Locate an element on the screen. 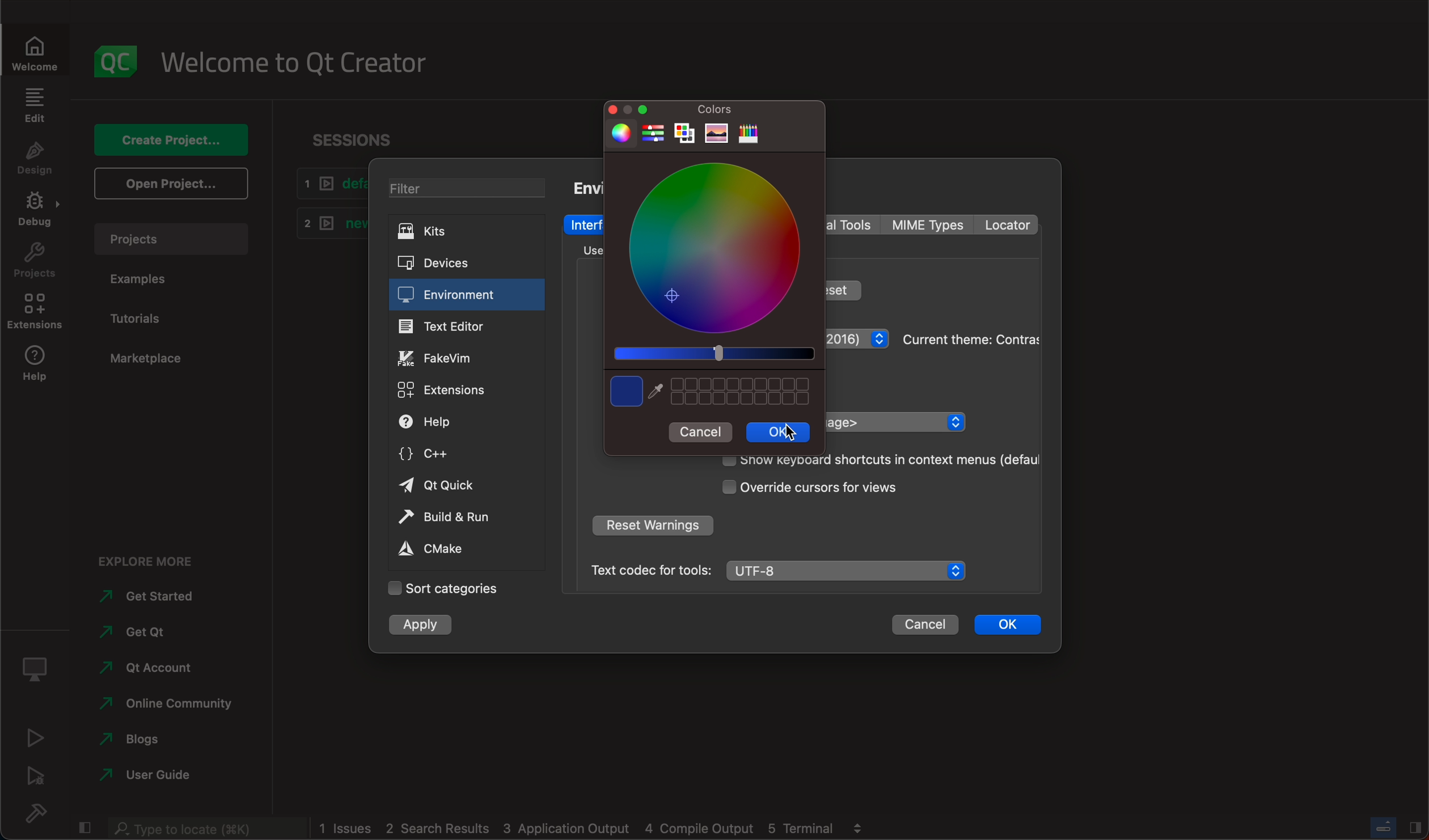 Image resolution: width=1429 pixels, height=840 pixels. text code is located at coordinates (650, 570).